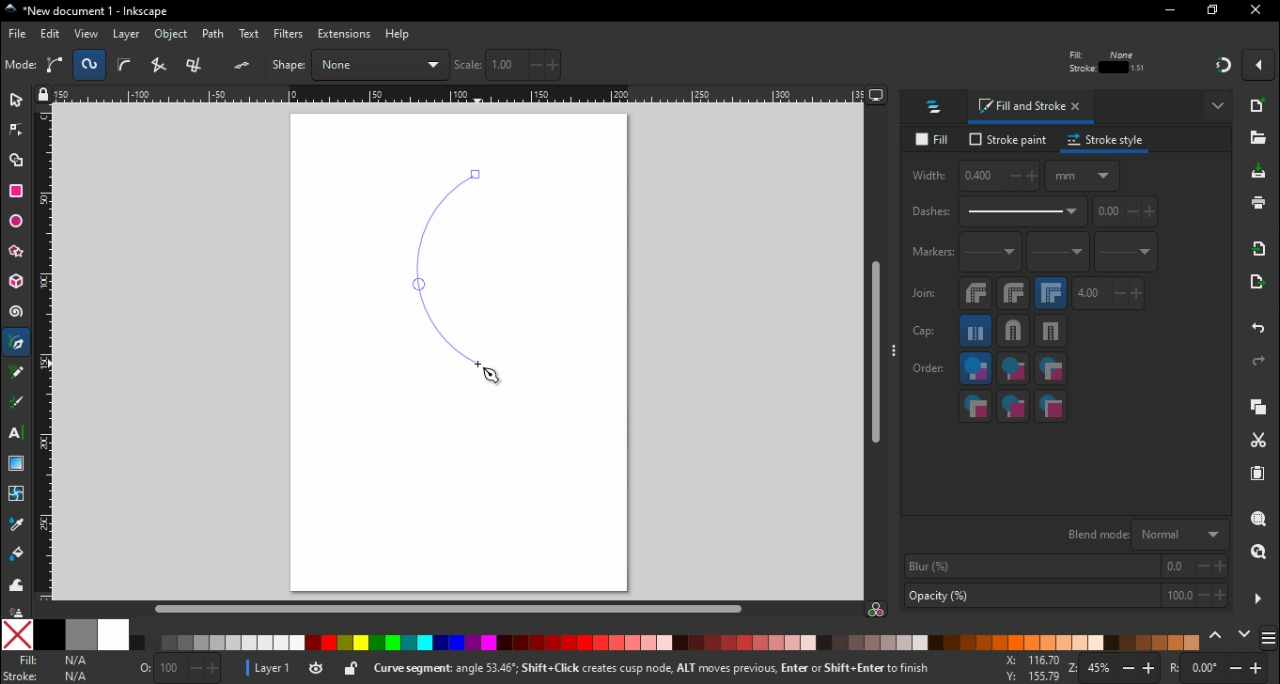 The height and width of the screenshot is (684, 1280). Describe the element at coordinates (1258, 287) in the screenshot. I see `open export undo` at that location.